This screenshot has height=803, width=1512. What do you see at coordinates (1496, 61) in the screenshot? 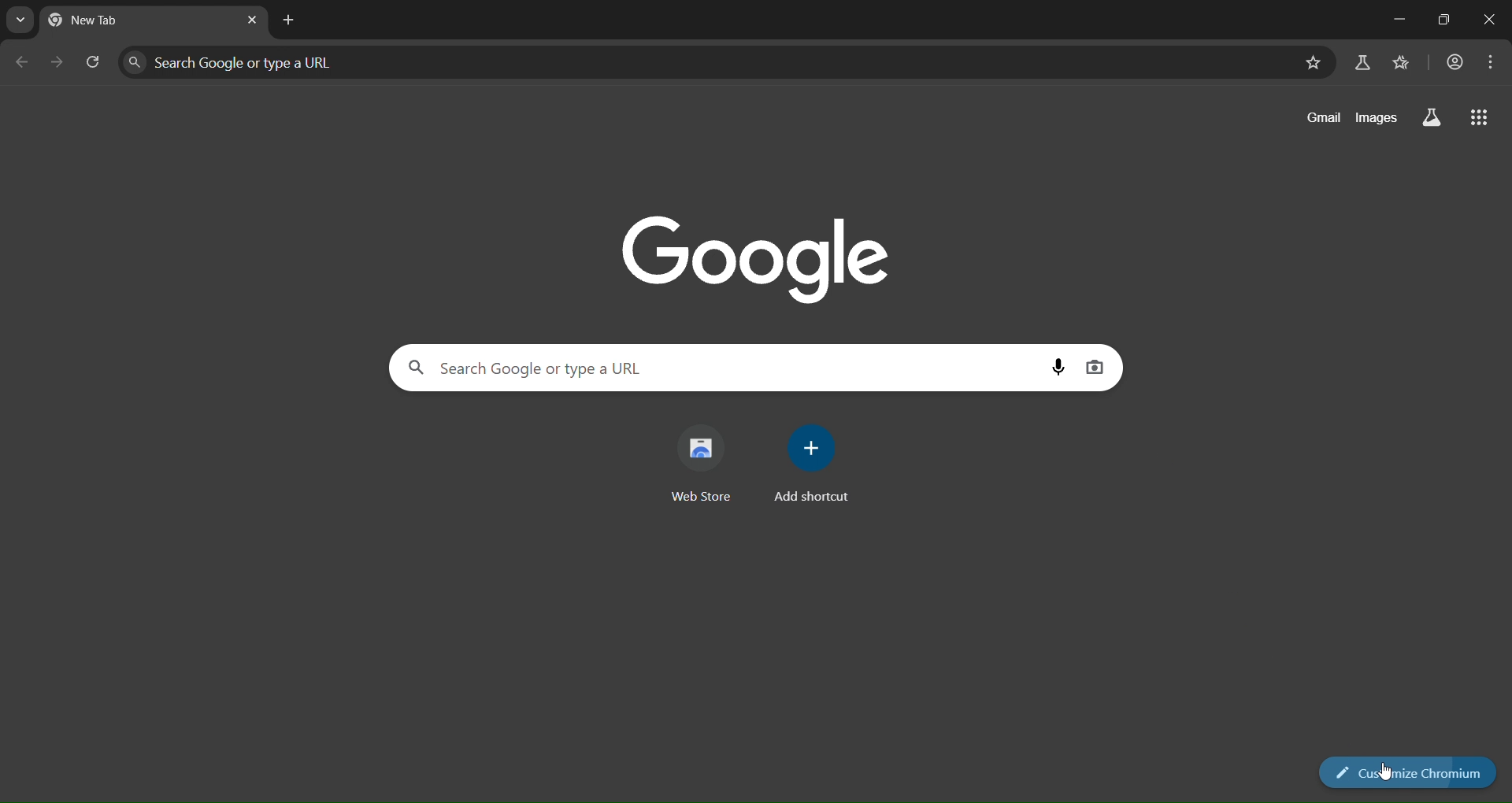
I see `menu` at bounding box center [1496, 61].